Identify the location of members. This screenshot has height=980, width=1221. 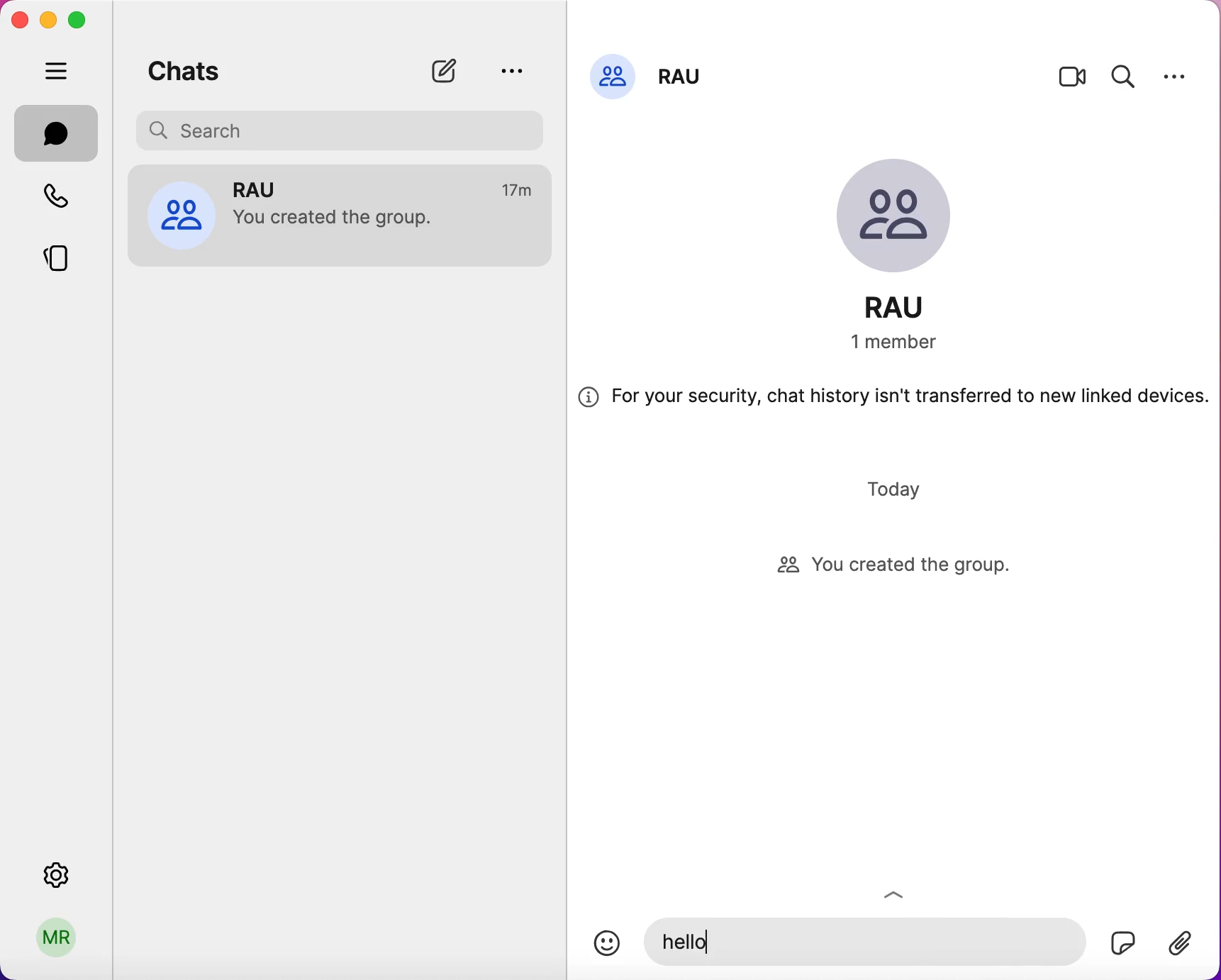
(910, 343).